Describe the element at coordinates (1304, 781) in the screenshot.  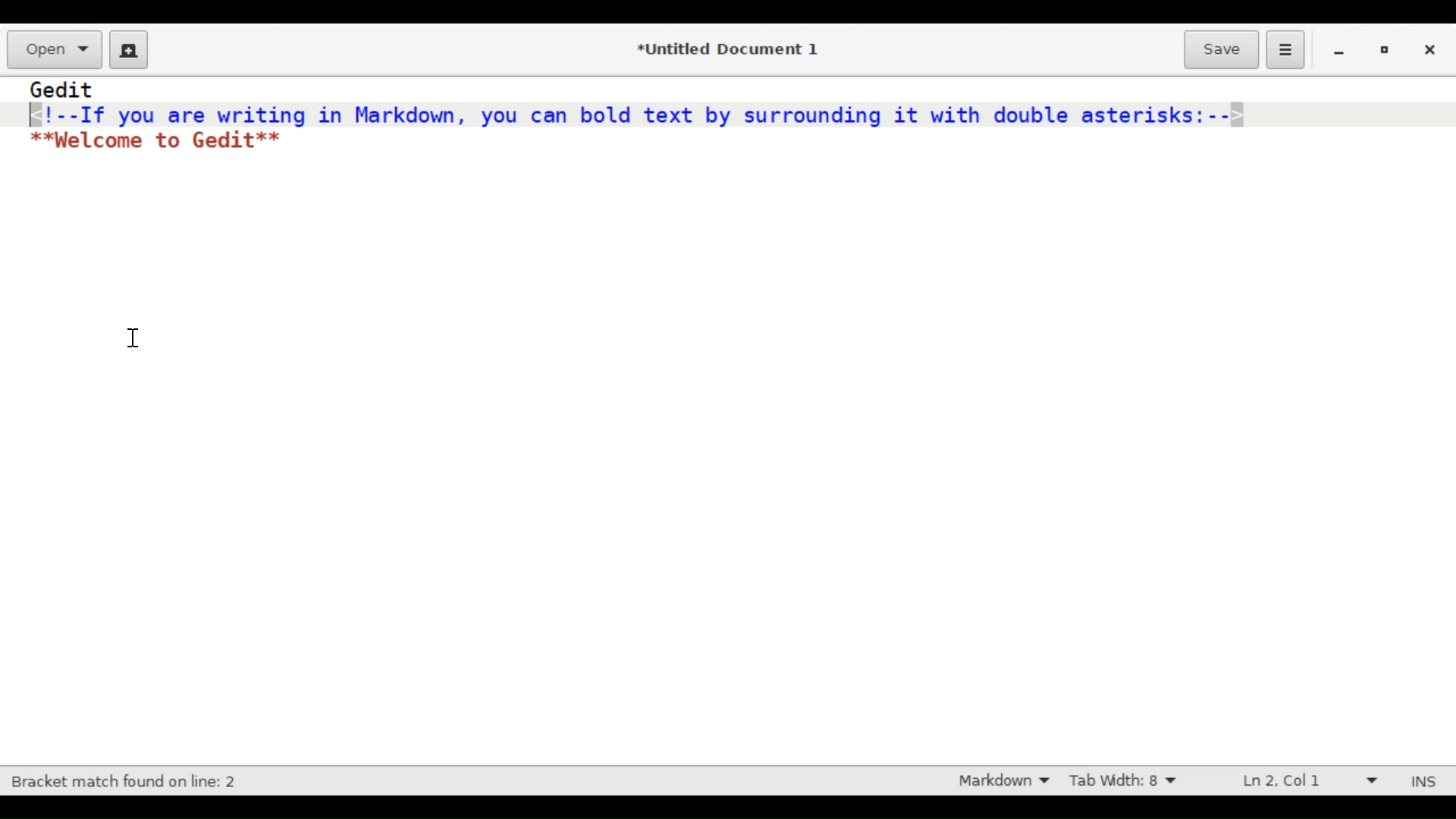
I see `Line & Column Preference` at that location.